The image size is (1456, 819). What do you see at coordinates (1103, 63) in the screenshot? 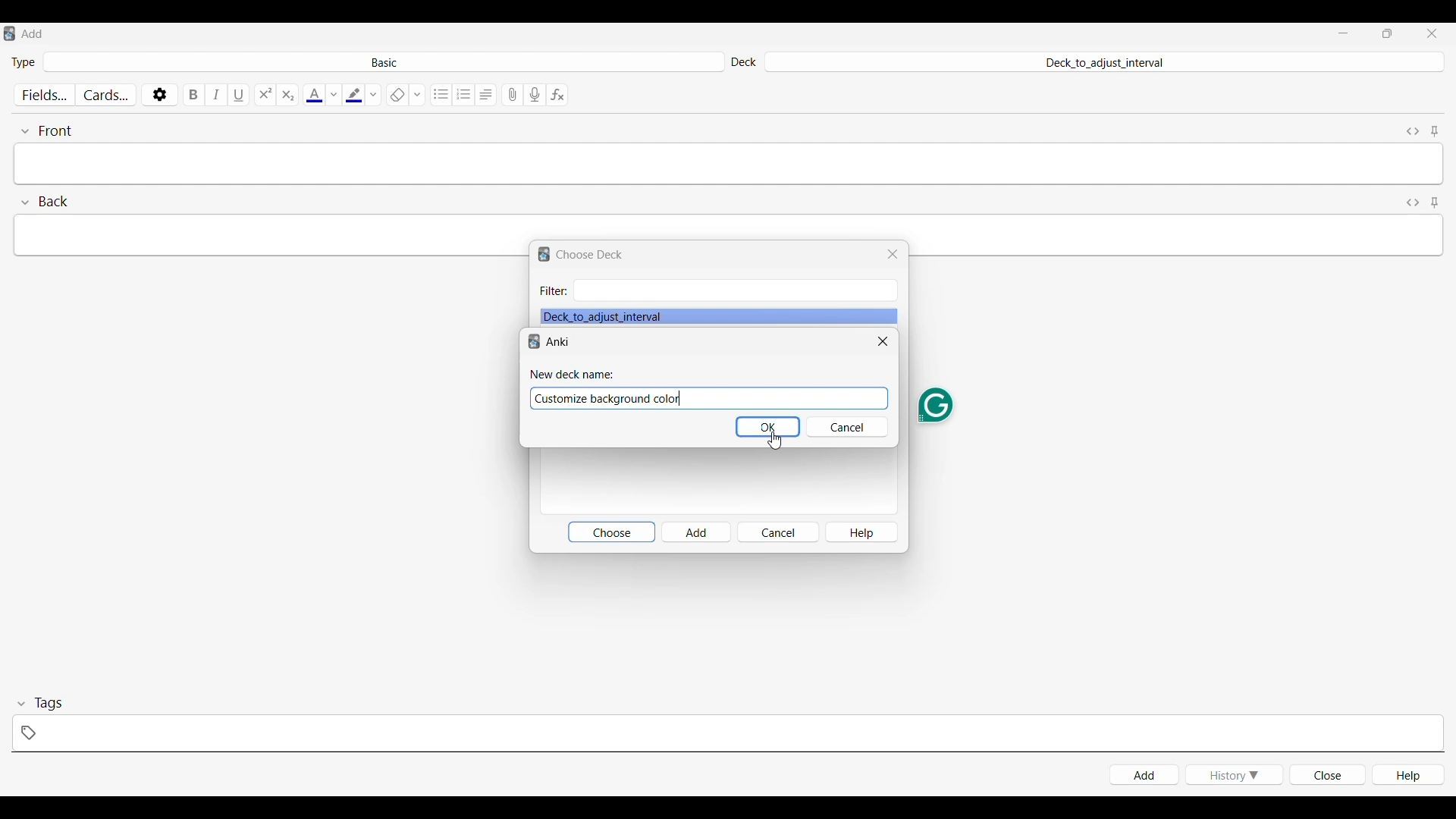
I see `Click to select deck` at bounding box center [1103, 63].